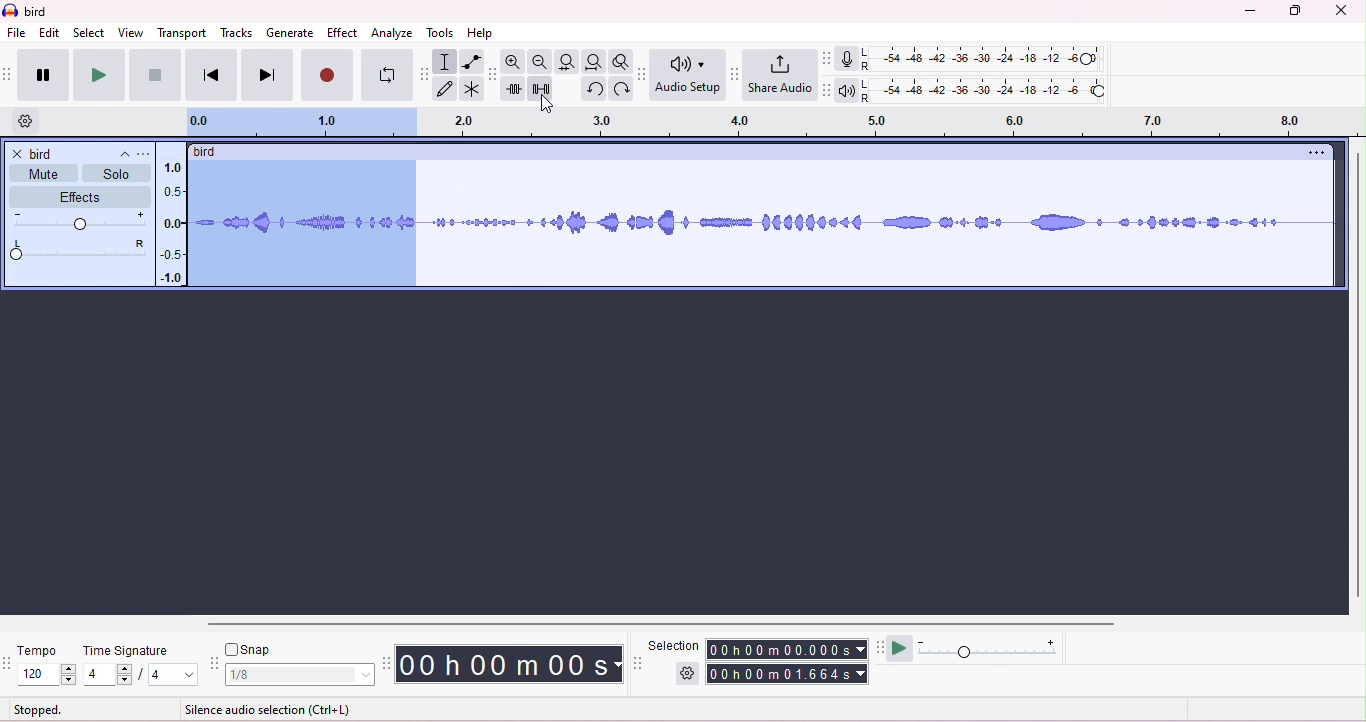 This screenshot has height=722, width=1366. What do you see at coordinates (736, 73) in the screenshot?
I see `share audio tool bar` at bounding box center [736, 73].